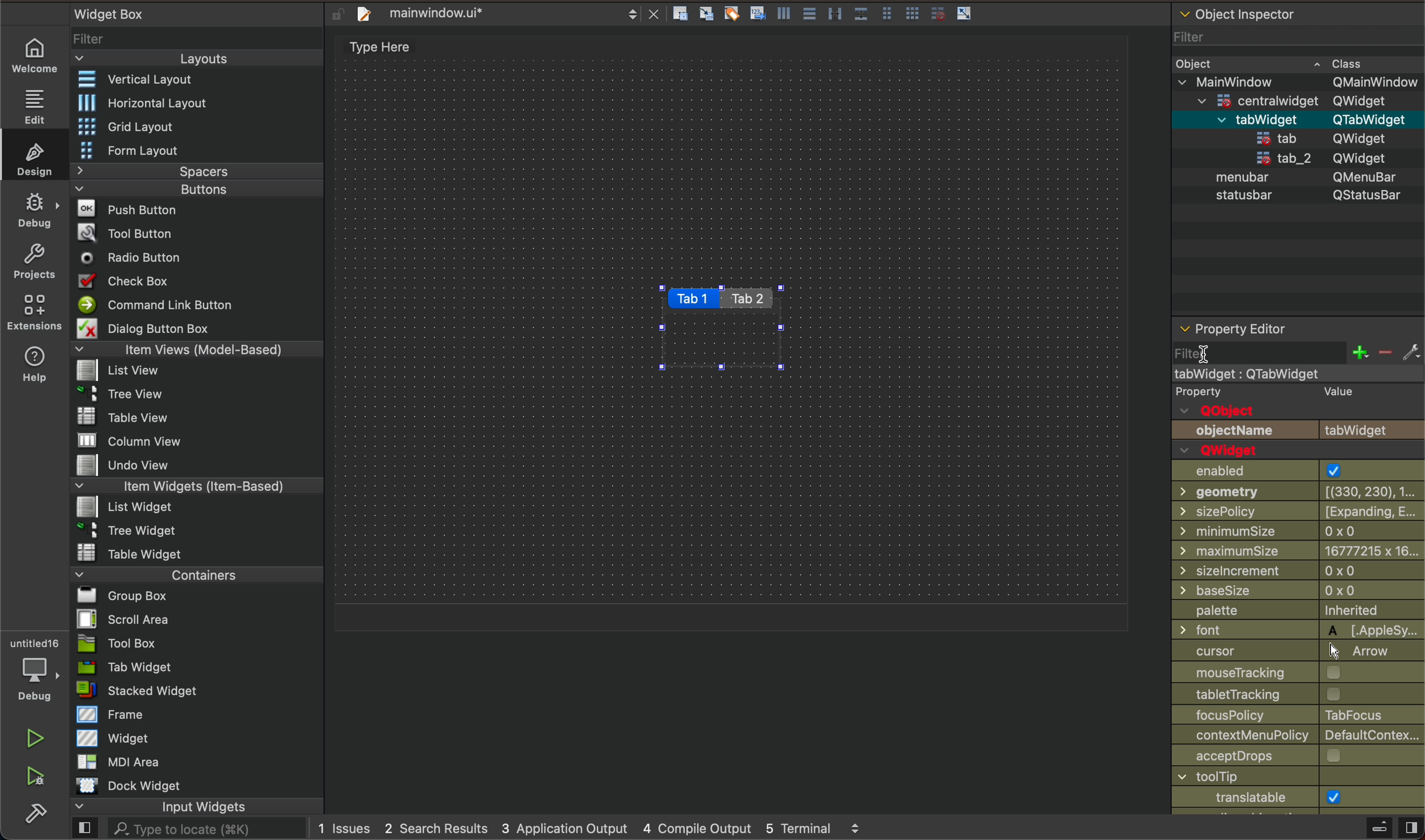  What do you see at coordinates (199, 808) in the screenshot?
I see `input widgets` at bounding box center [199, 808].